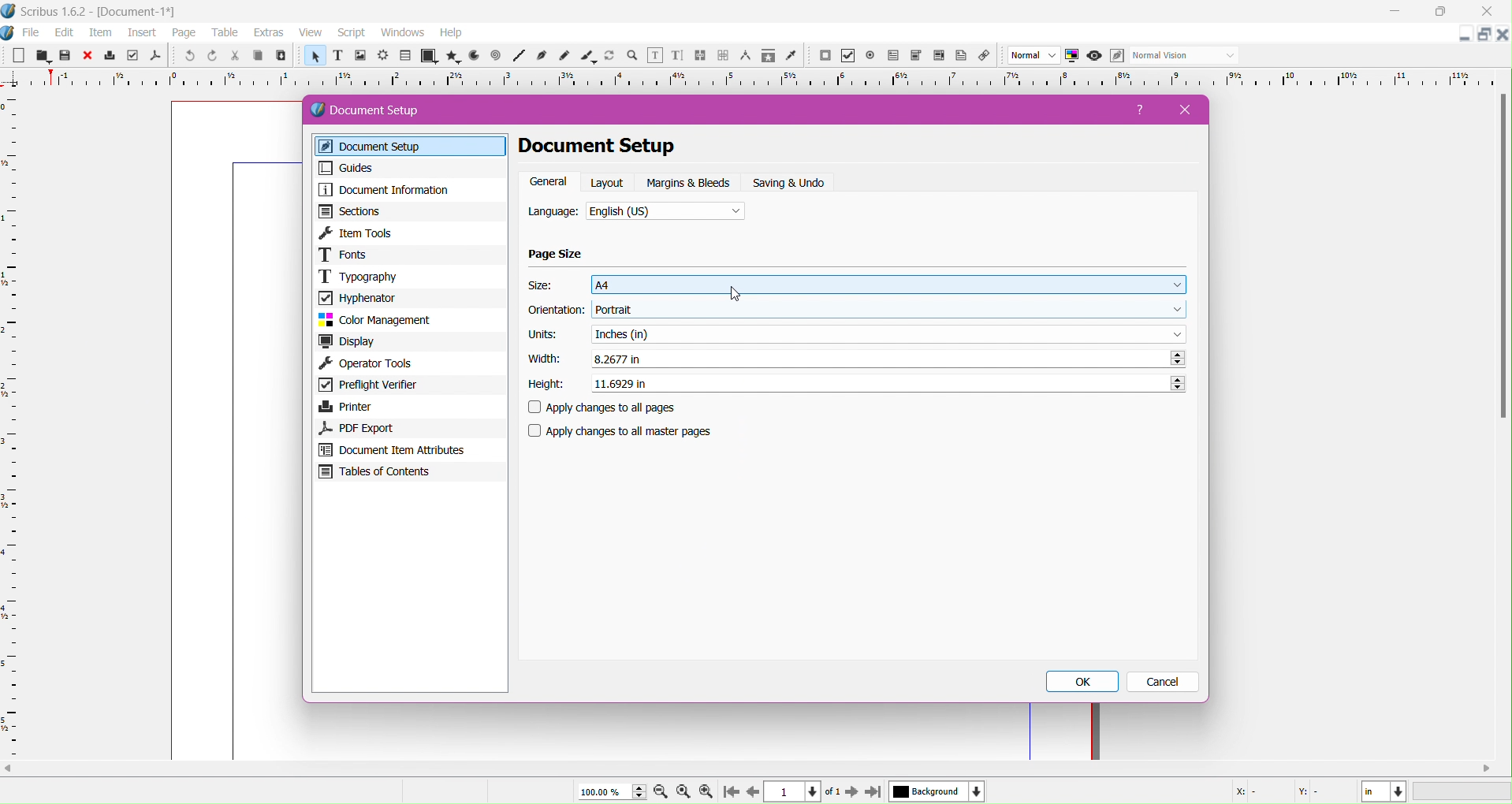  What do you see at coordinates (17, 57) in the screenshot?
I see `new` at bounding box center [17, 57].